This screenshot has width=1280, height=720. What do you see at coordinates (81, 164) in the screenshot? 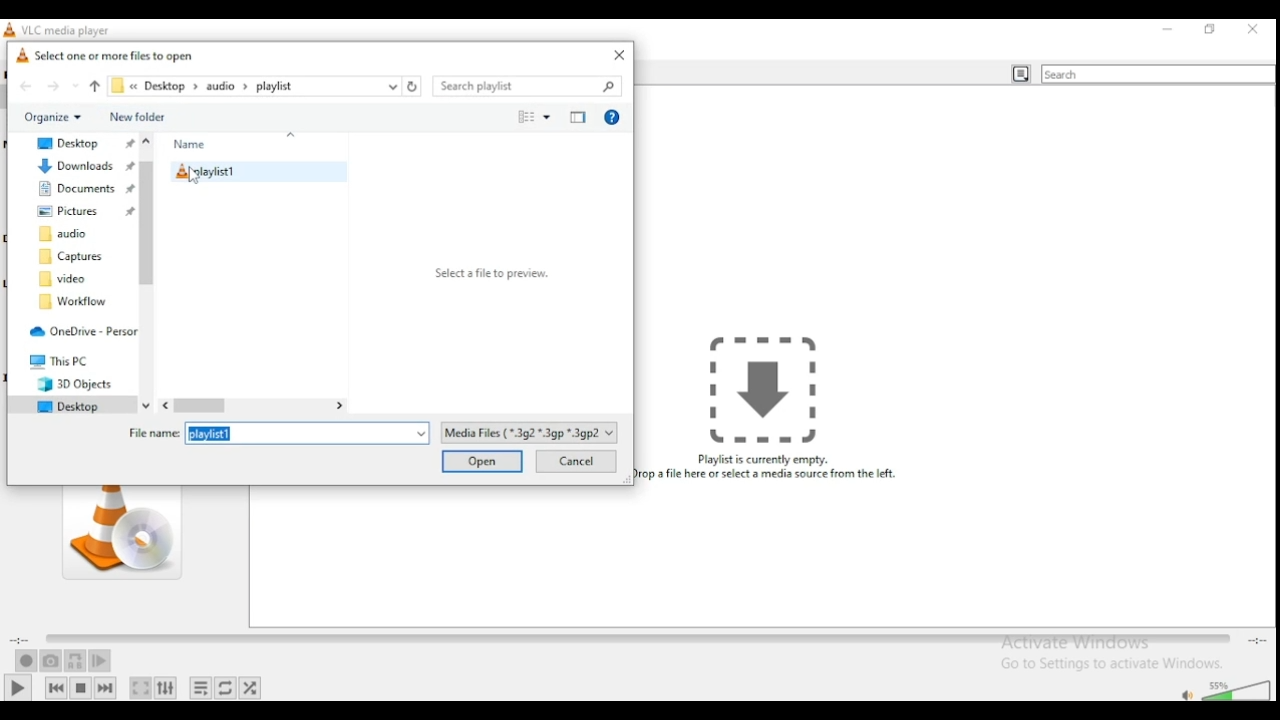
I see `downloads` at bounding box center [81, 164].